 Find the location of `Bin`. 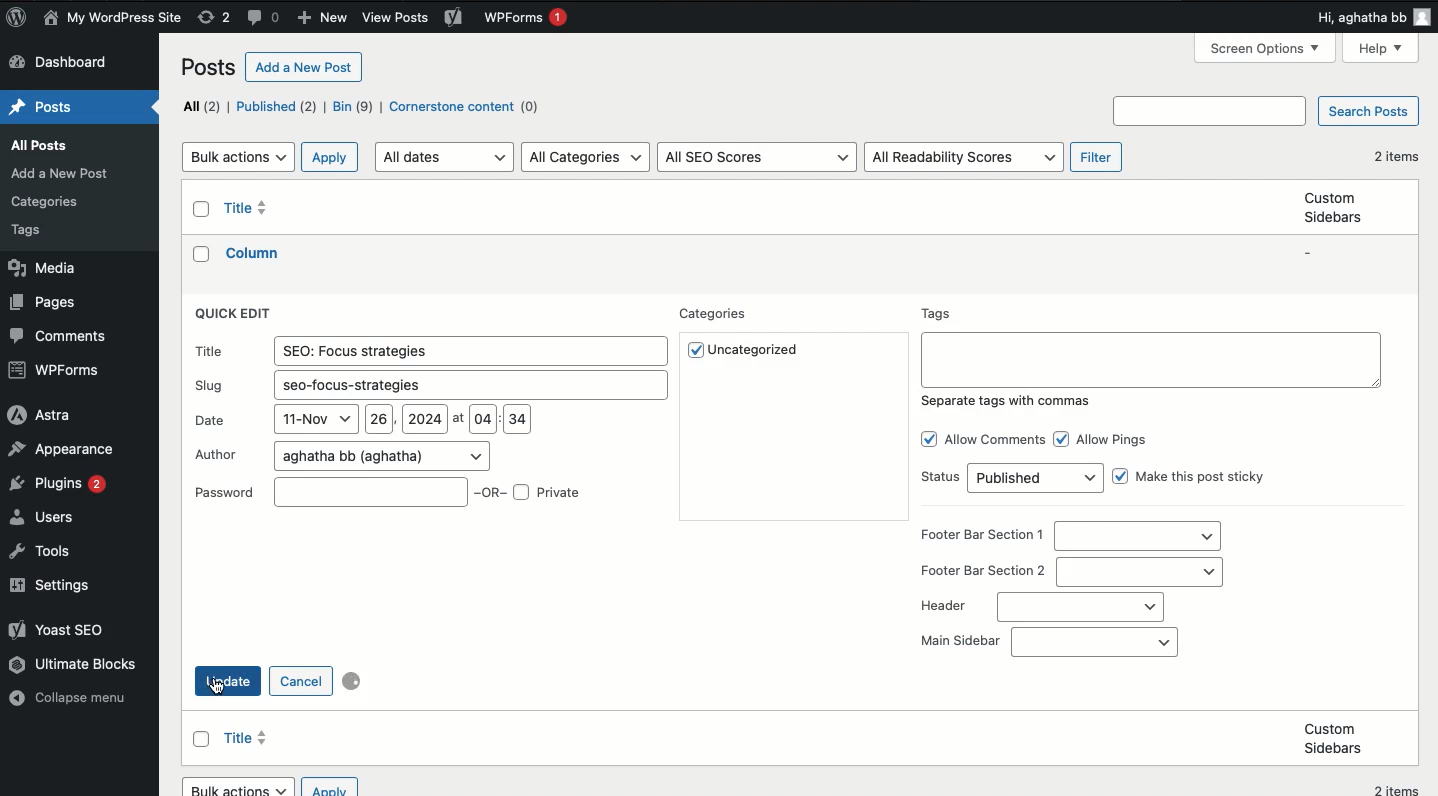

Bin is located at coordinates (353, 106).